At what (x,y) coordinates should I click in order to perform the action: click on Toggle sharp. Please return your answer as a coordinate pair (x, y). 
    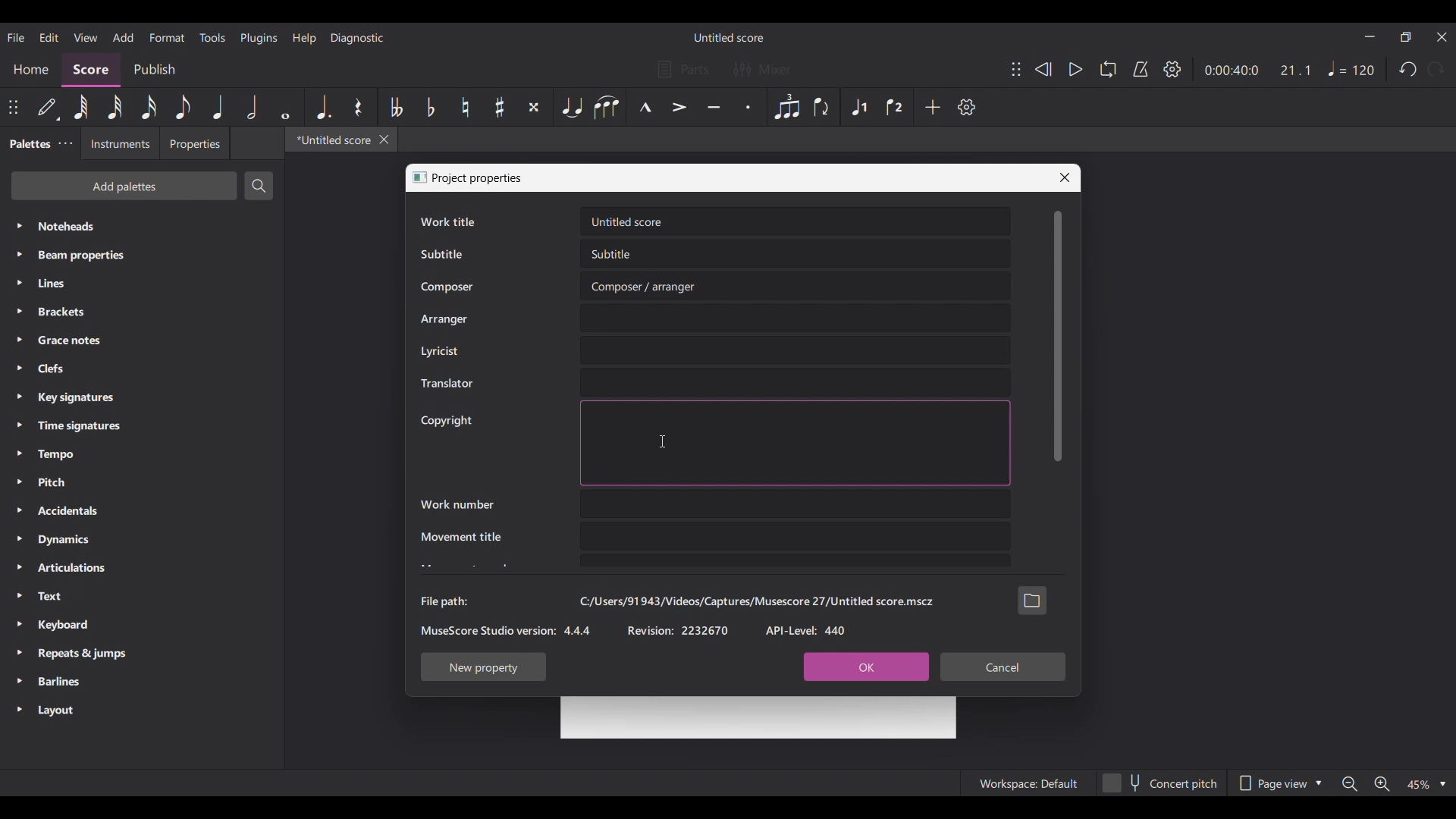
    Looking at the image, I should click on (500, 107).